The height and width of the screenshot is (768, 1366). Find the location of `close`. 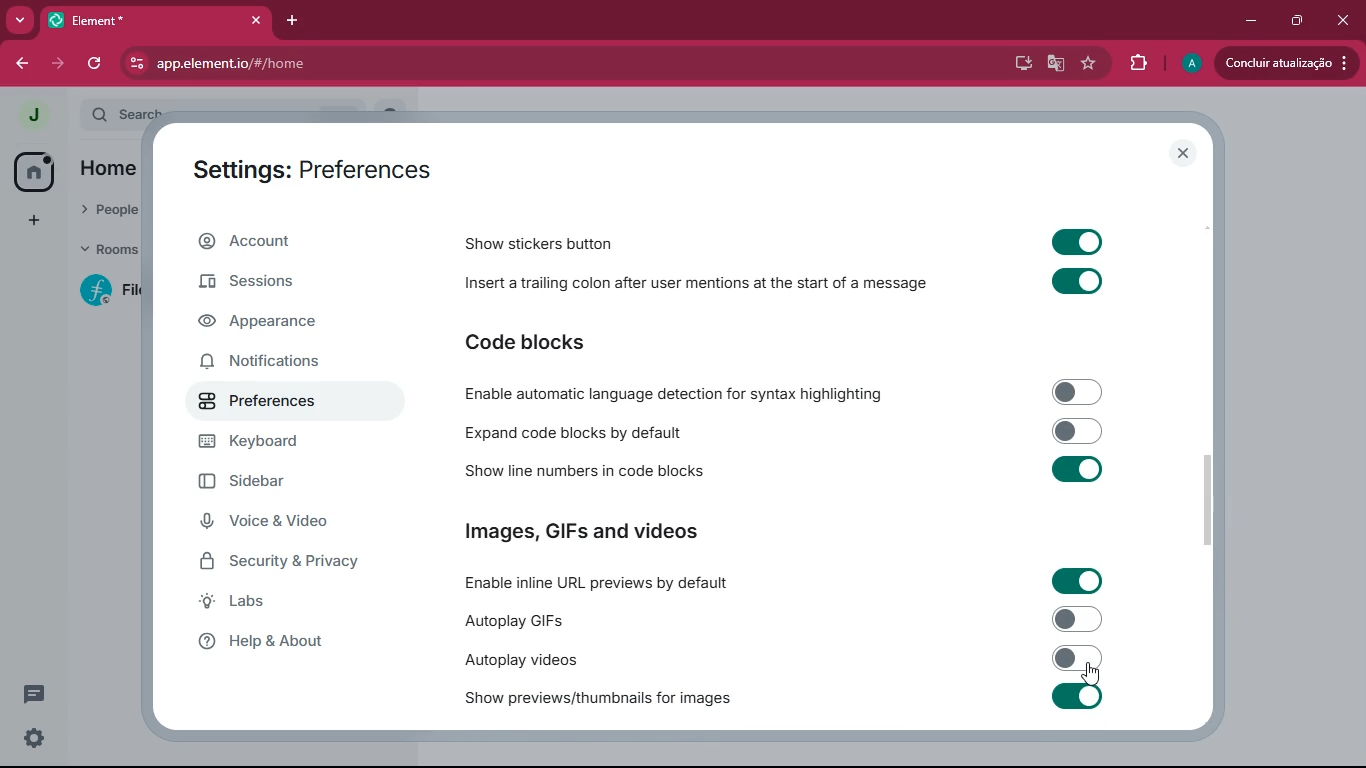

close is located at coordinates (1345, 18).